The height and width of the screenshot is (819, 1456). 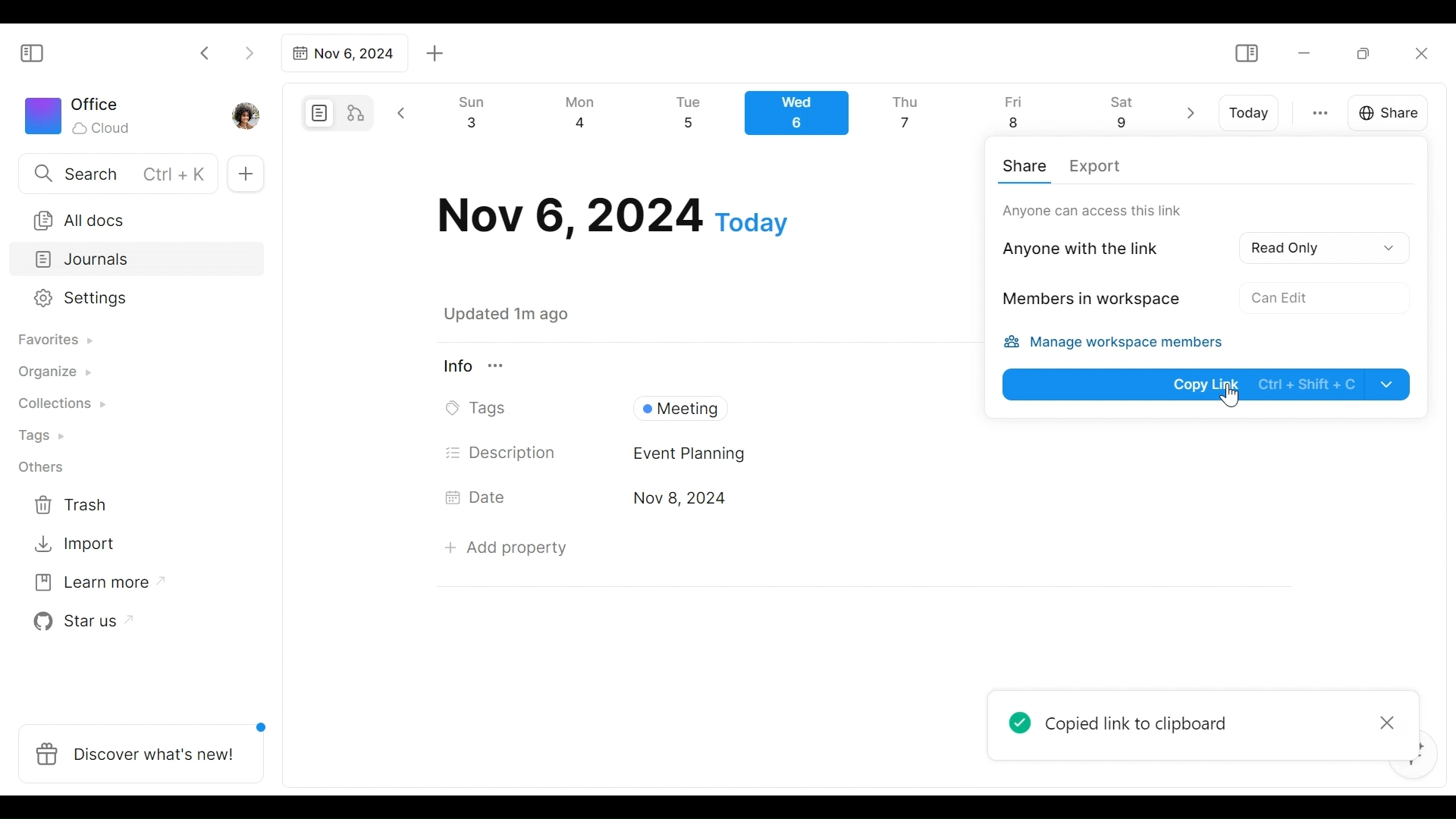 I want to click on Cursor, so click(x=1232, y=398).